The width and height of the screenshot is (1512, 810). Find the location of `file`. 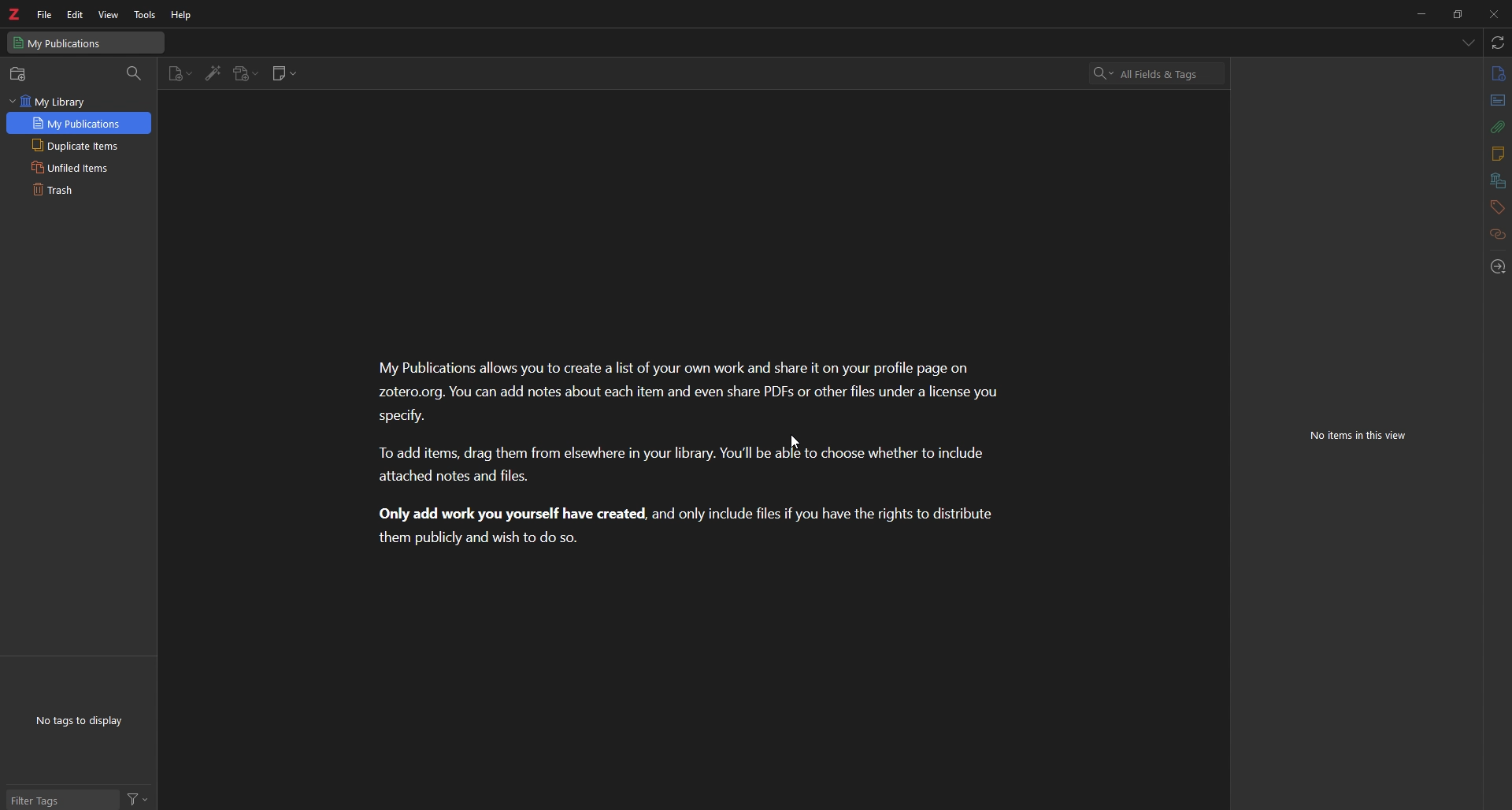

file is located at coordinates (44, 15).